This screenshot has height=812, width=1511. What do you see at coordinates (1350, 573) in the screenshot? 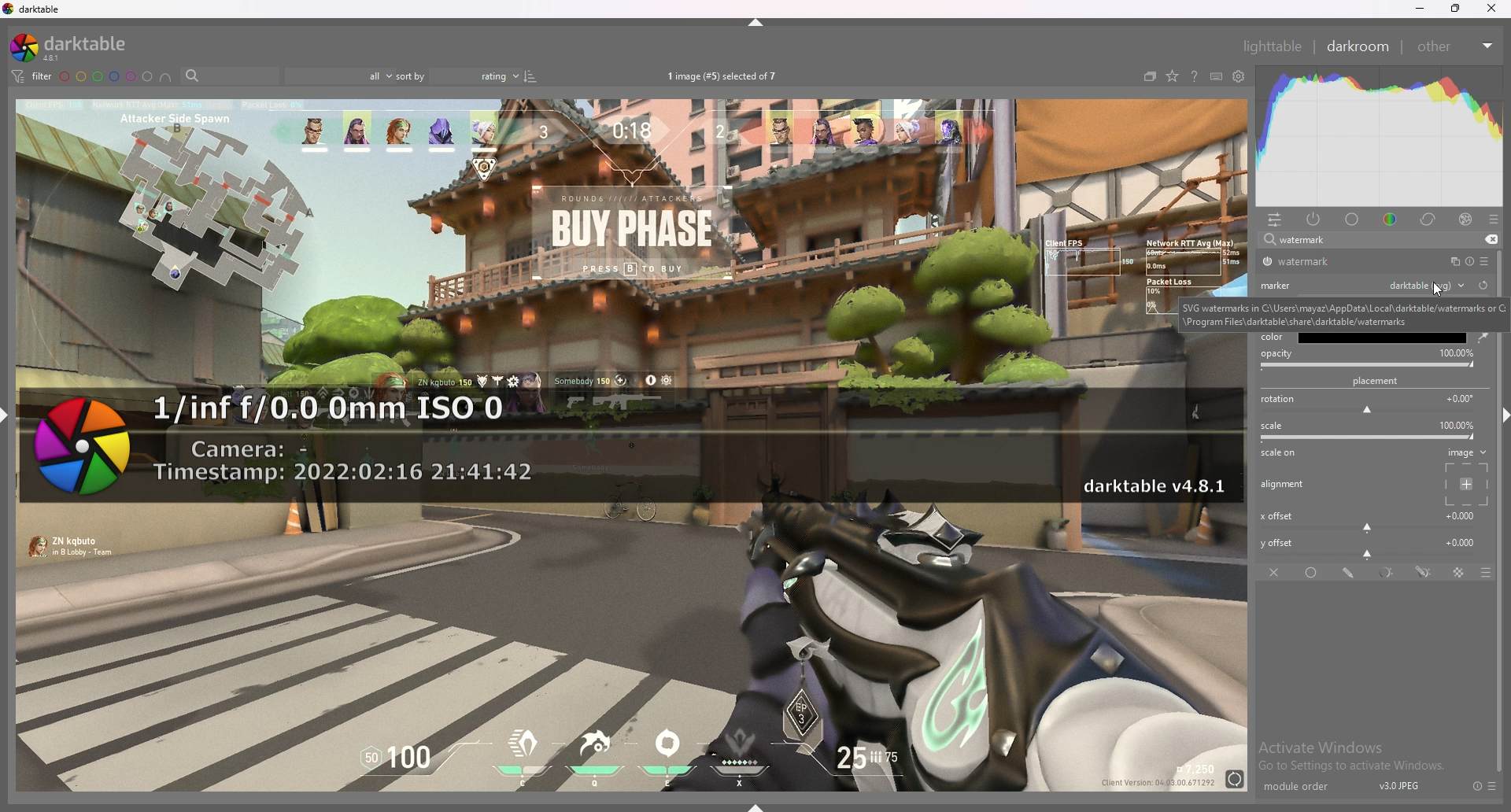
I see `drawn mask` at bounding box center [1350, 573].